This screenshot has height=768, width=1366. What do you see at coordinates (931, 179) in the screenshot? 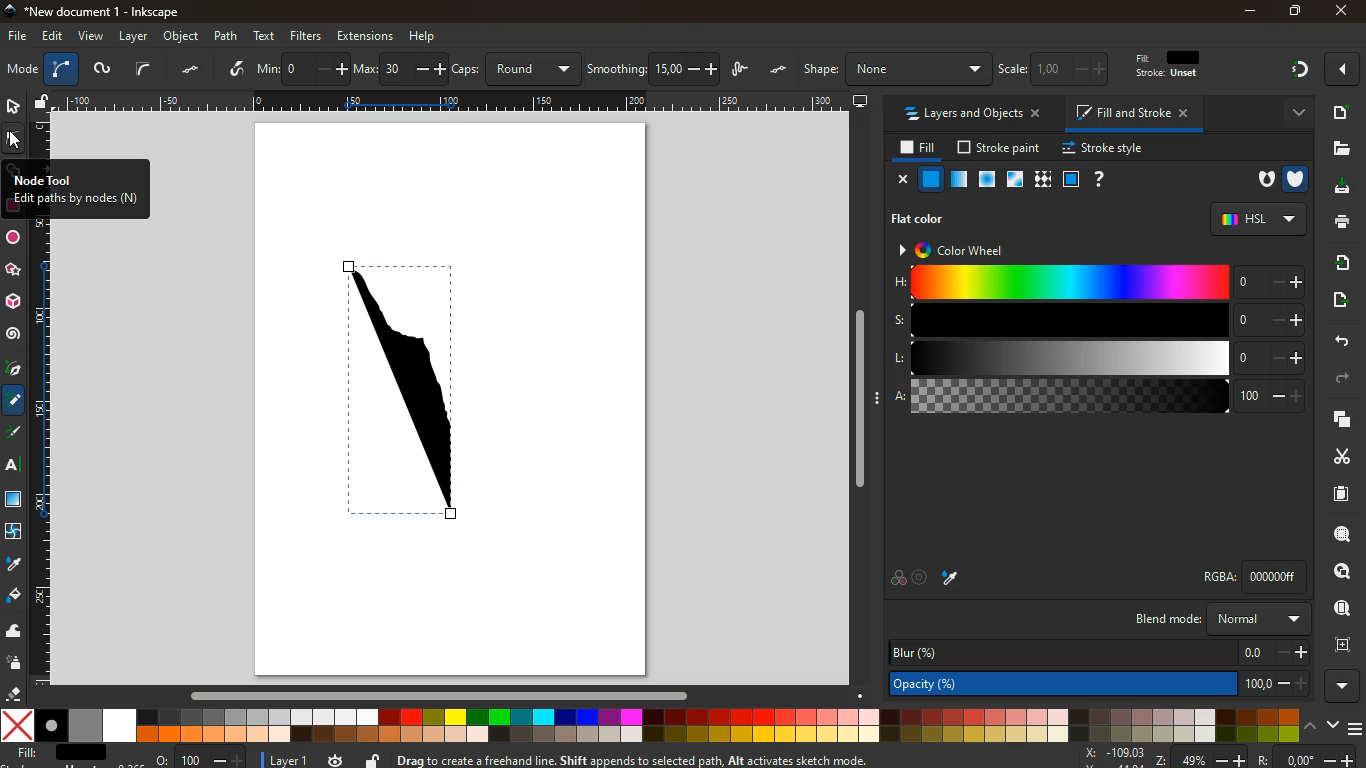
I see `normal` at bounding box center [931, 179].